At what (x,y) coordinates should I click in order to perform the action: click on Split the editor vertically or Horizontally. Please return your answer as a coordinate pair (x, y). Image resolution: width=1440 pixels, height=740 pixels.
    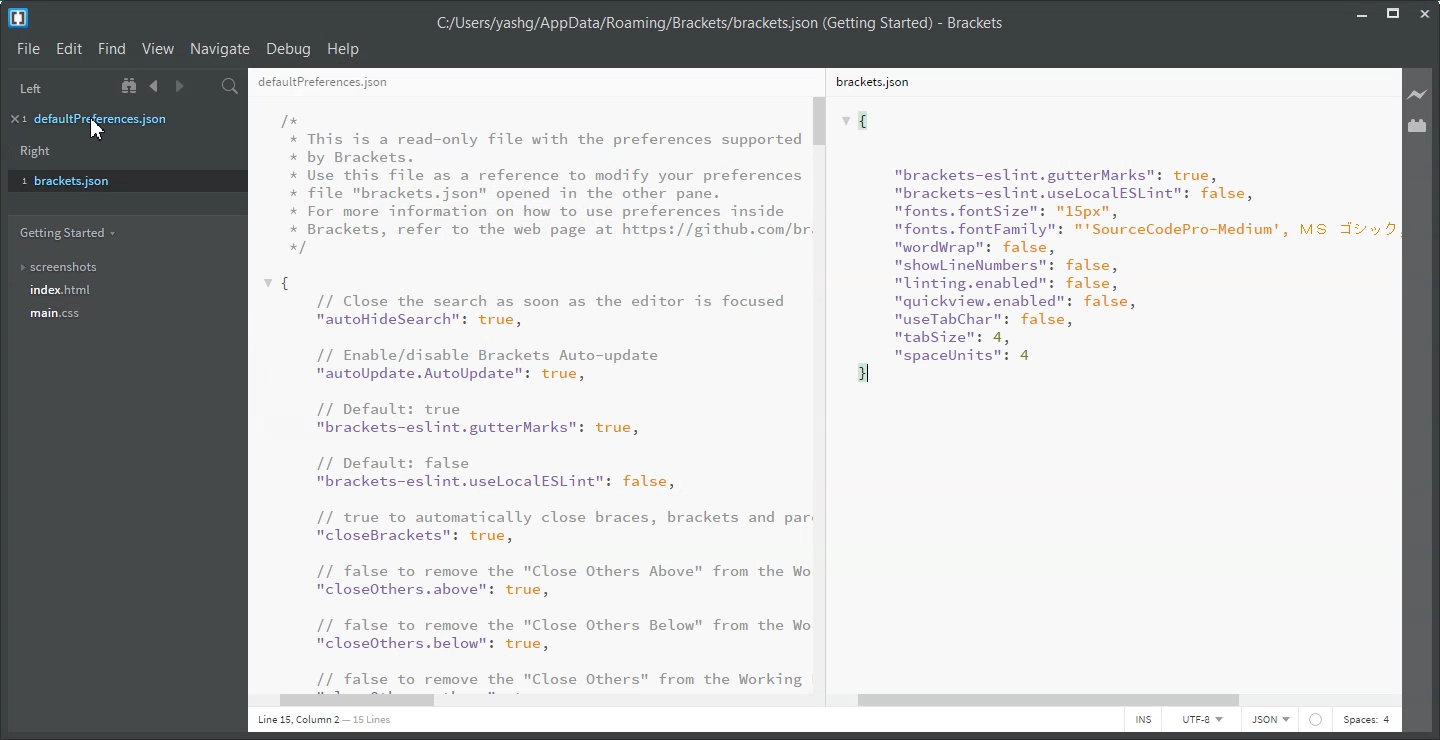
    Looking at the image, I should click on (204, 85).